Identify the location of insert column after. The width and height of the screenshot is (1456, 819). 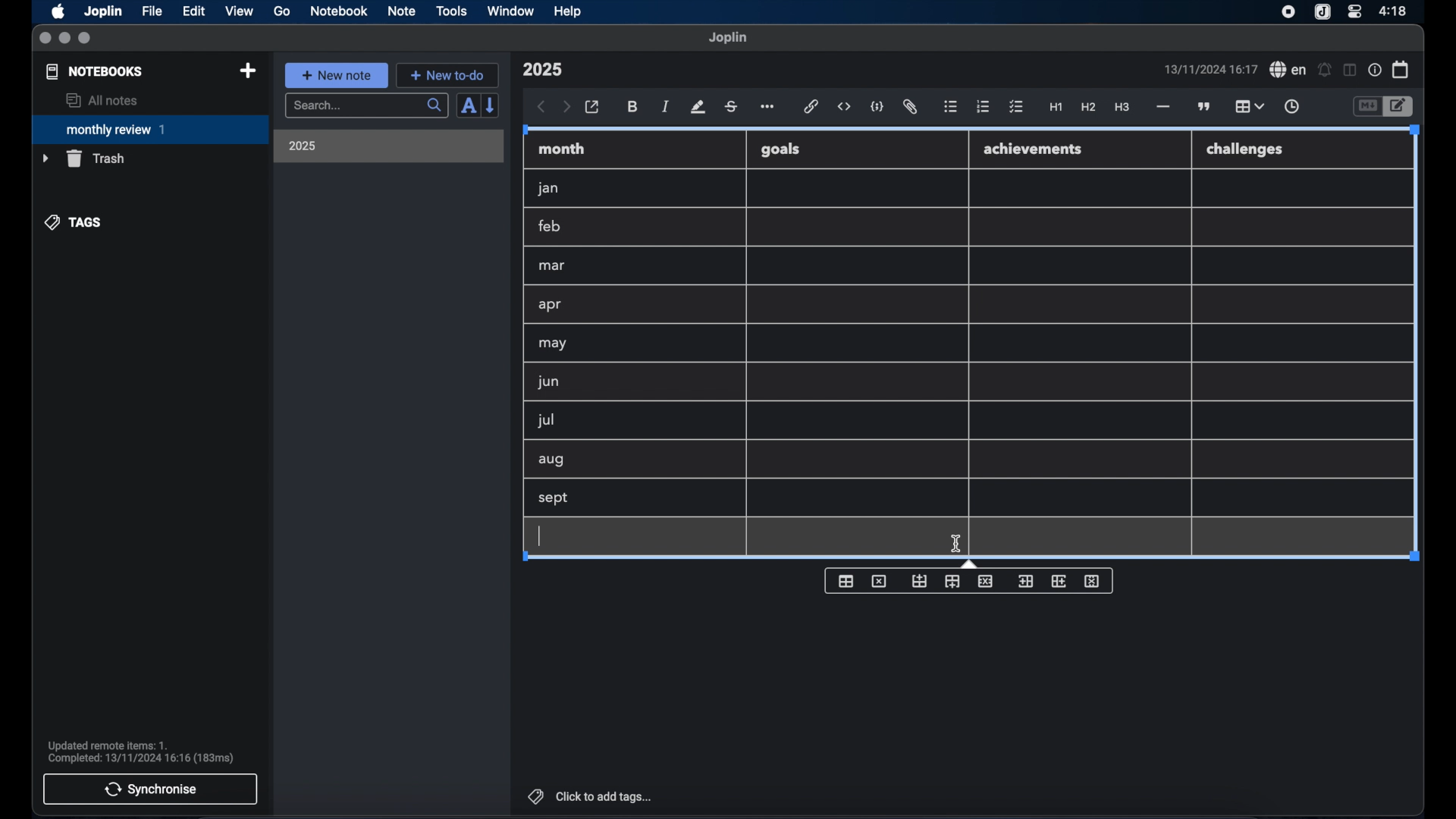
(952, 582).